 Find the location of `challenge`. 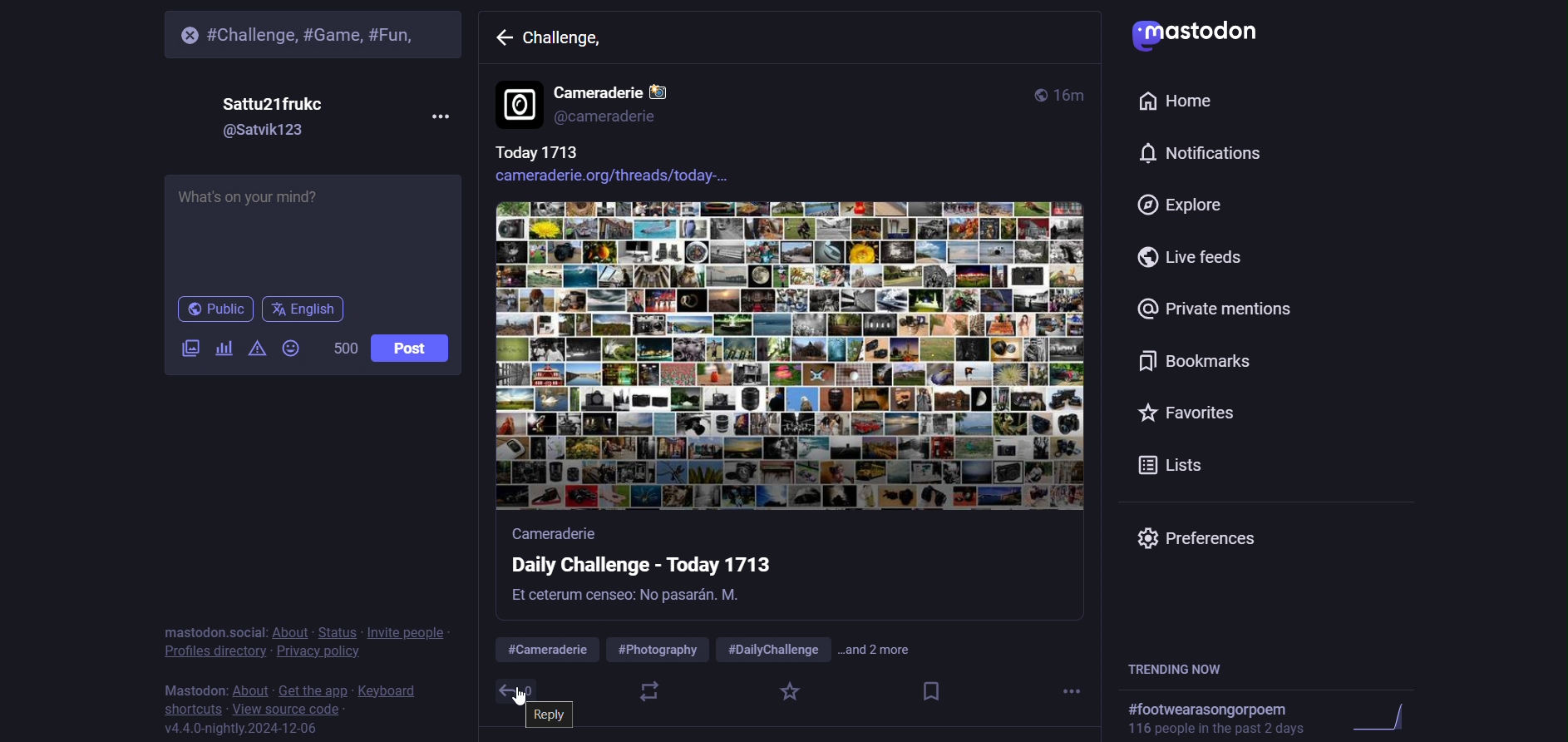

challenge is located at coordinates (570, 44).